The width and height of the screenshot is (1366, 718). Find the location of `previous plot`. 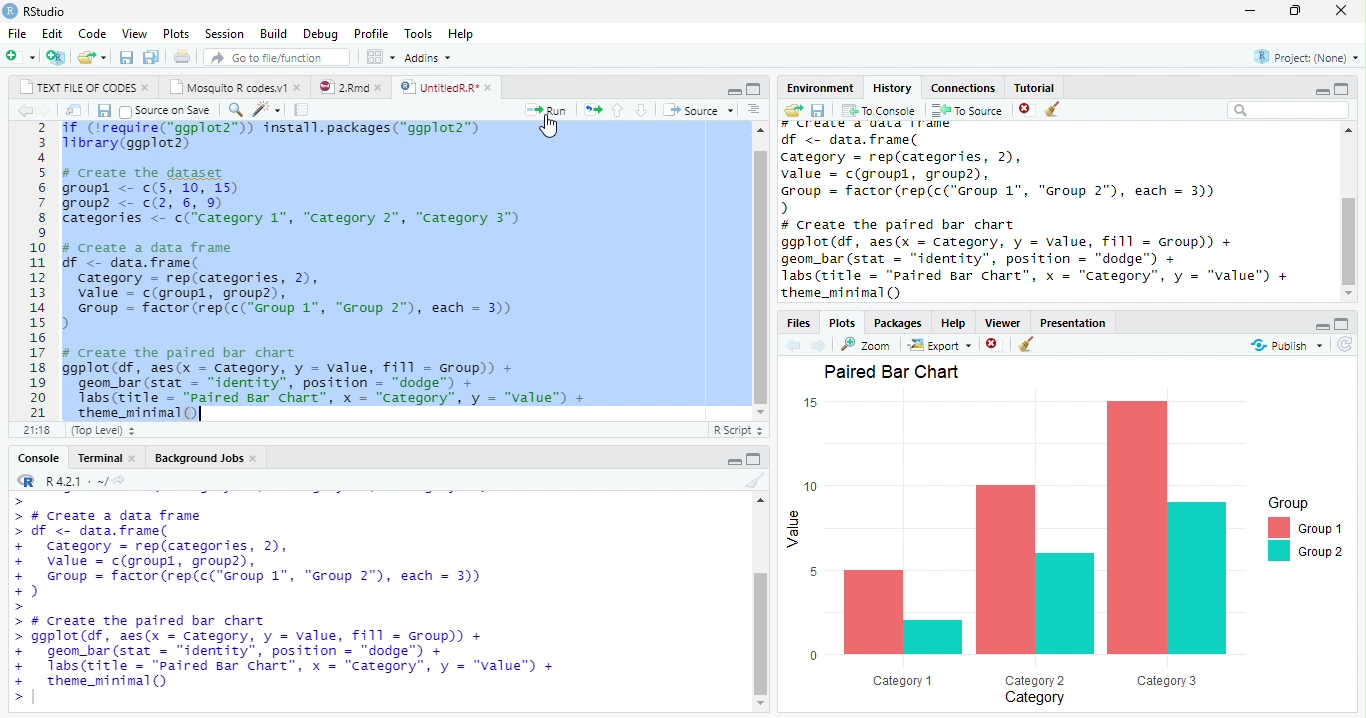

previous plot is located at coordinates (793, 346).